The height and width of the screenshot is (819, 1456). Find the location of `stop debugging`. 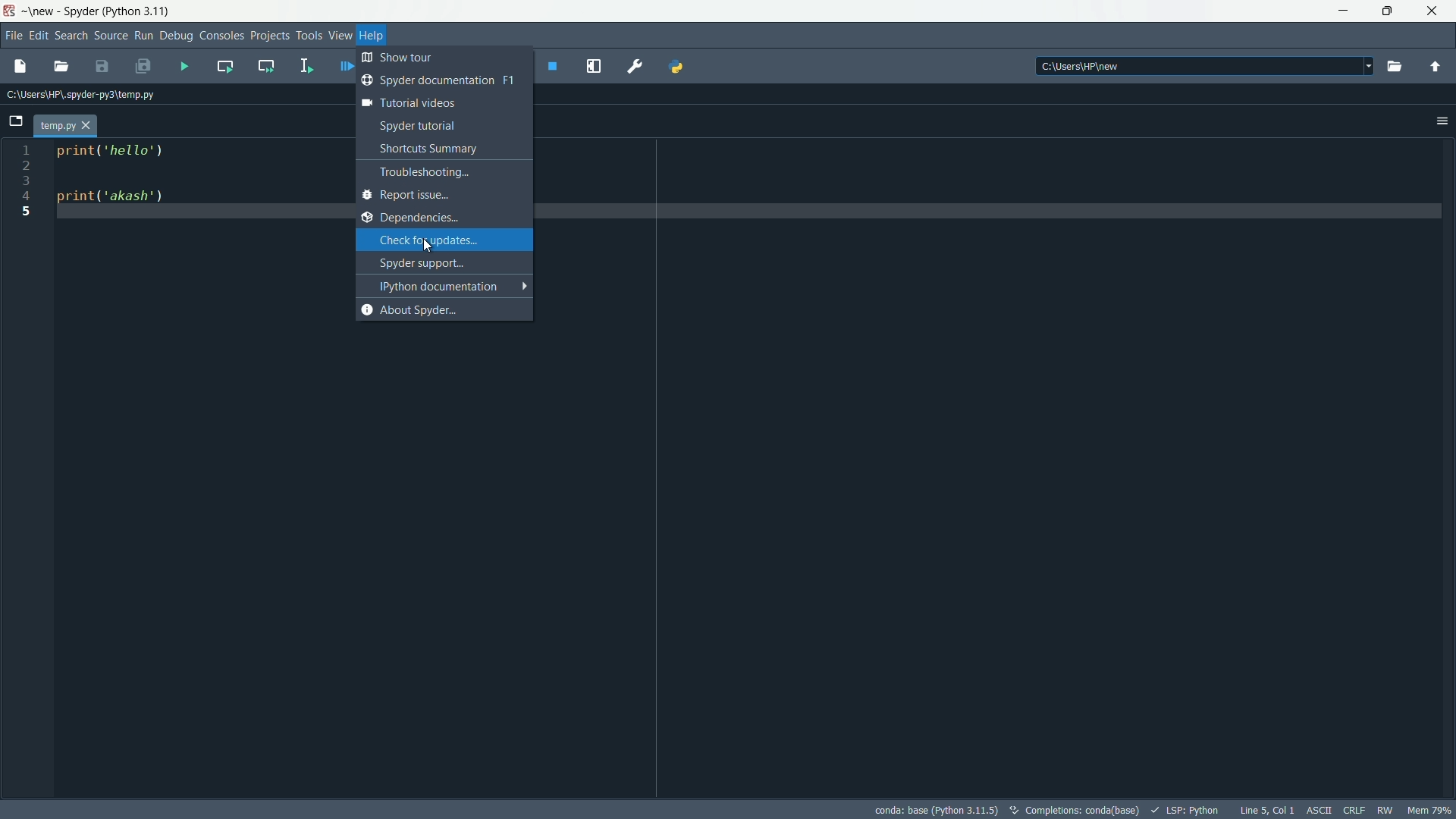

stop debugging is located at coordinates (554, 66).